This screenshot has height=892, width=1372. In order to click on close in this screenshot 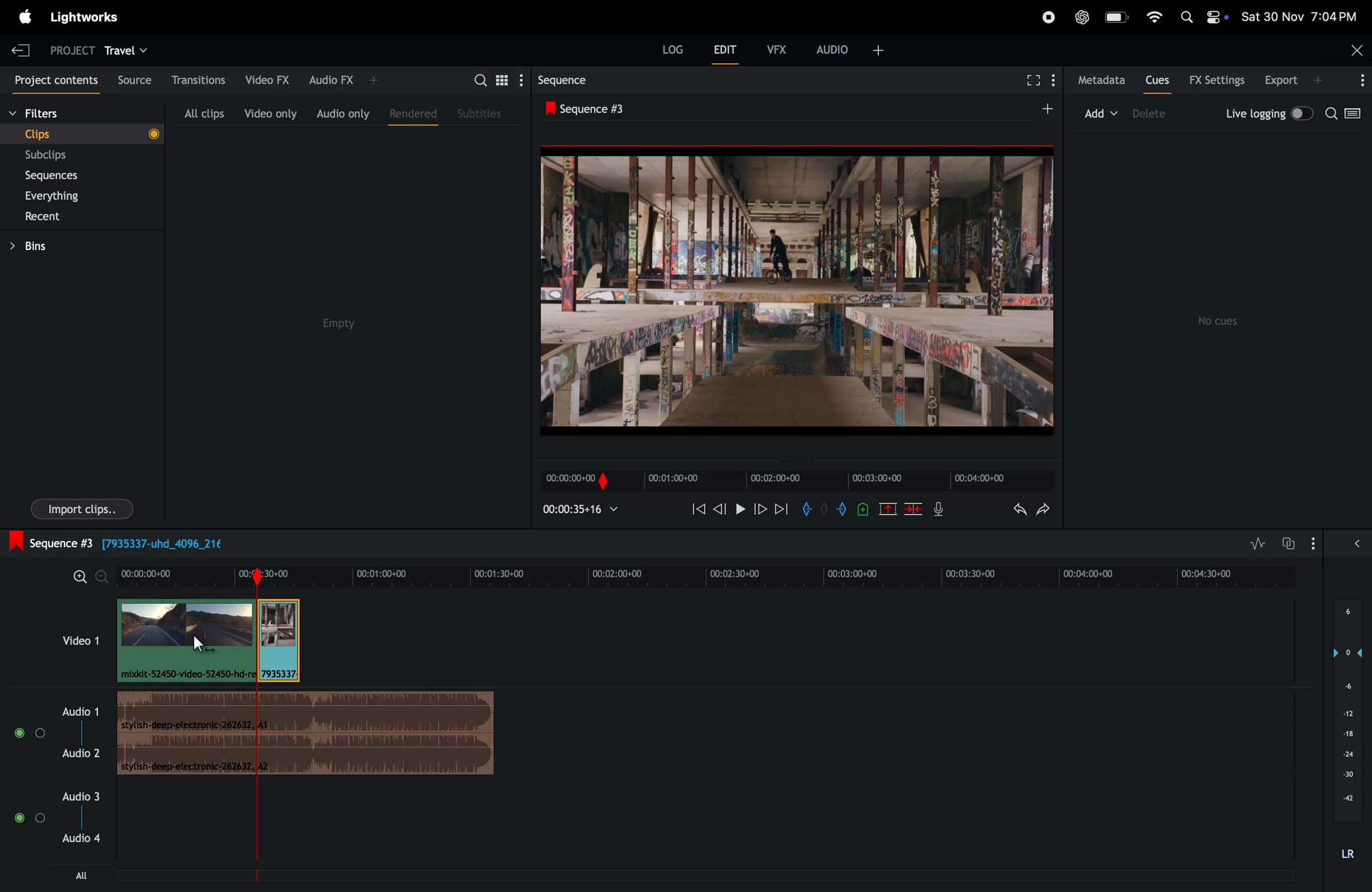, I will do `click(1352, 50)`.